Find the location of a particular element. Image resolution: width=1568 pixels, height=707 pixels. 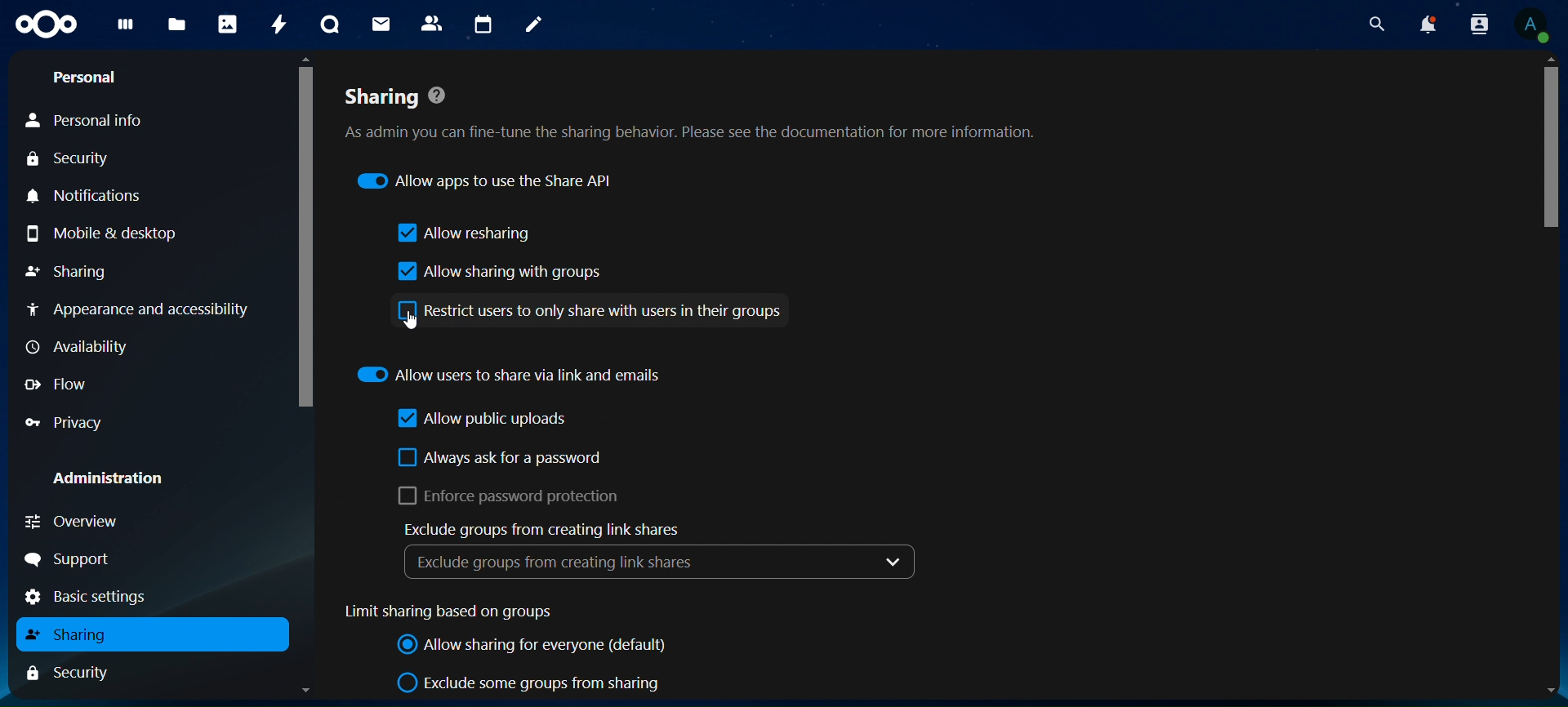

dashboard is located at coordinates (124, 27).